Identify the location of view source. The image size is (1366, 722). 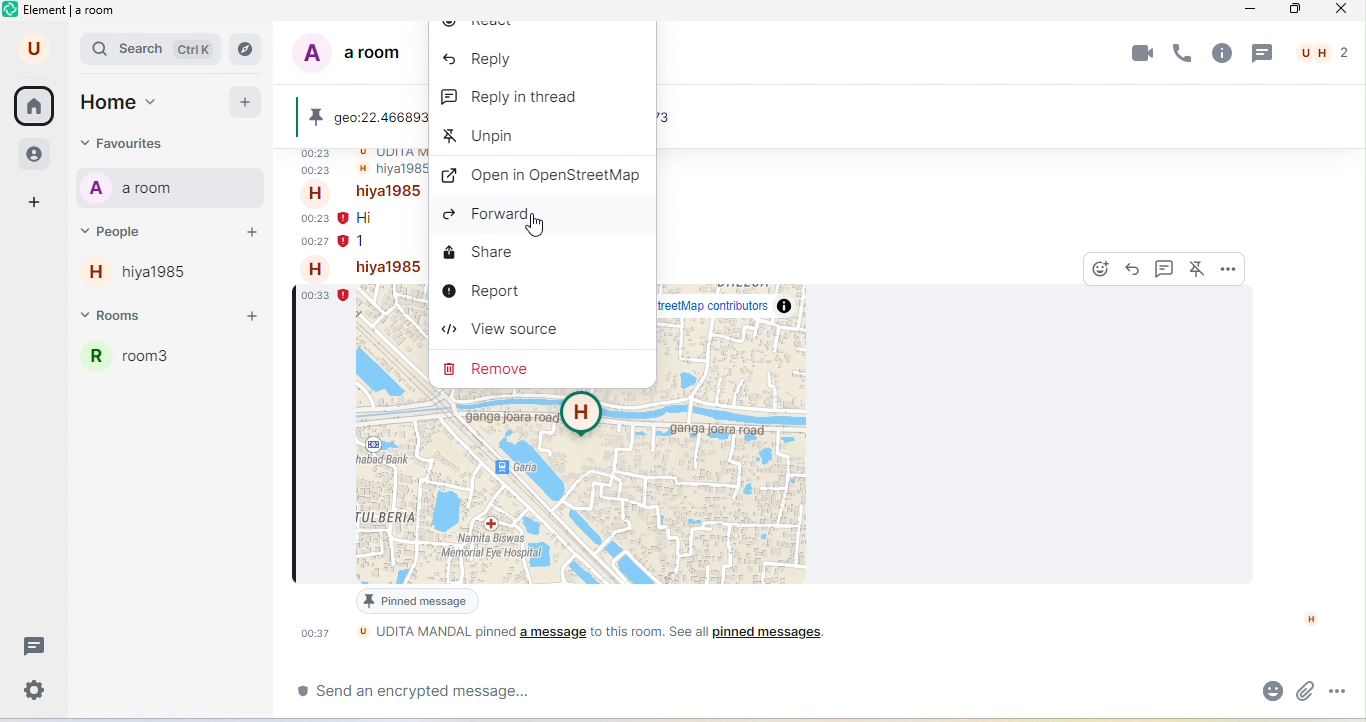
(502, 333).